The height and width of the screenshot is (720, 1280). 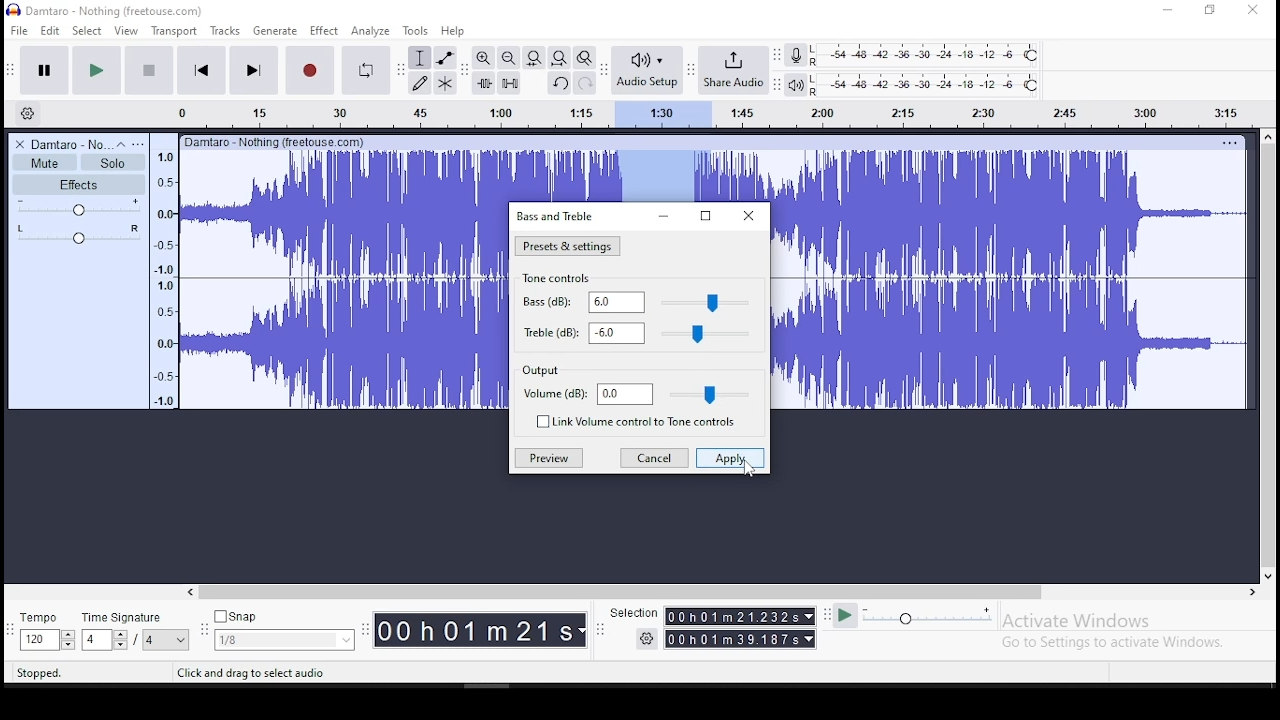 I want to click on , so click(x=164, y=279).